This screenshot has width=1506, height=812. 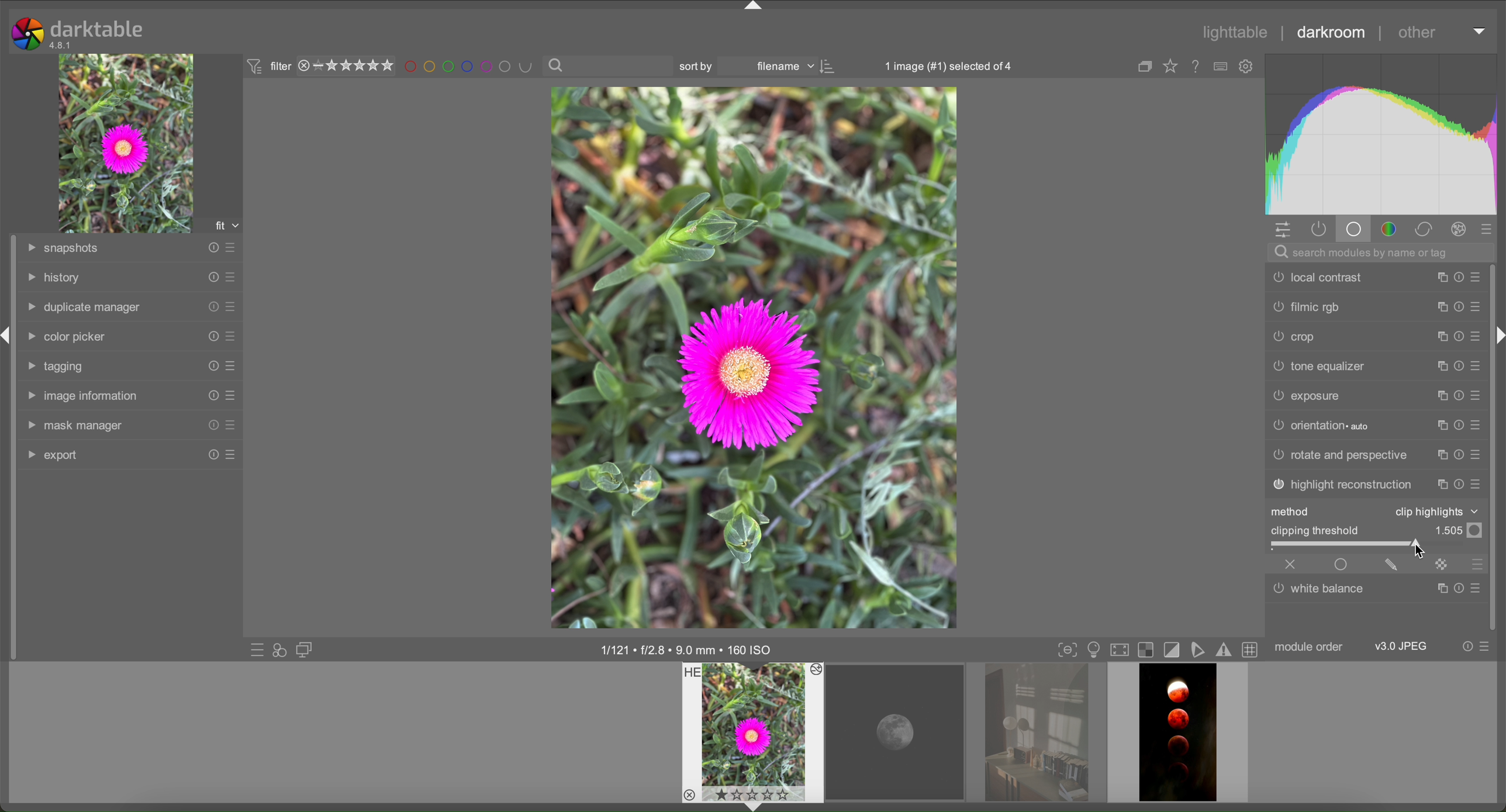 What do you see at coordinates (1383, 253) in the screenshot?
I see `search bar` at bounding box center [1383, 253].